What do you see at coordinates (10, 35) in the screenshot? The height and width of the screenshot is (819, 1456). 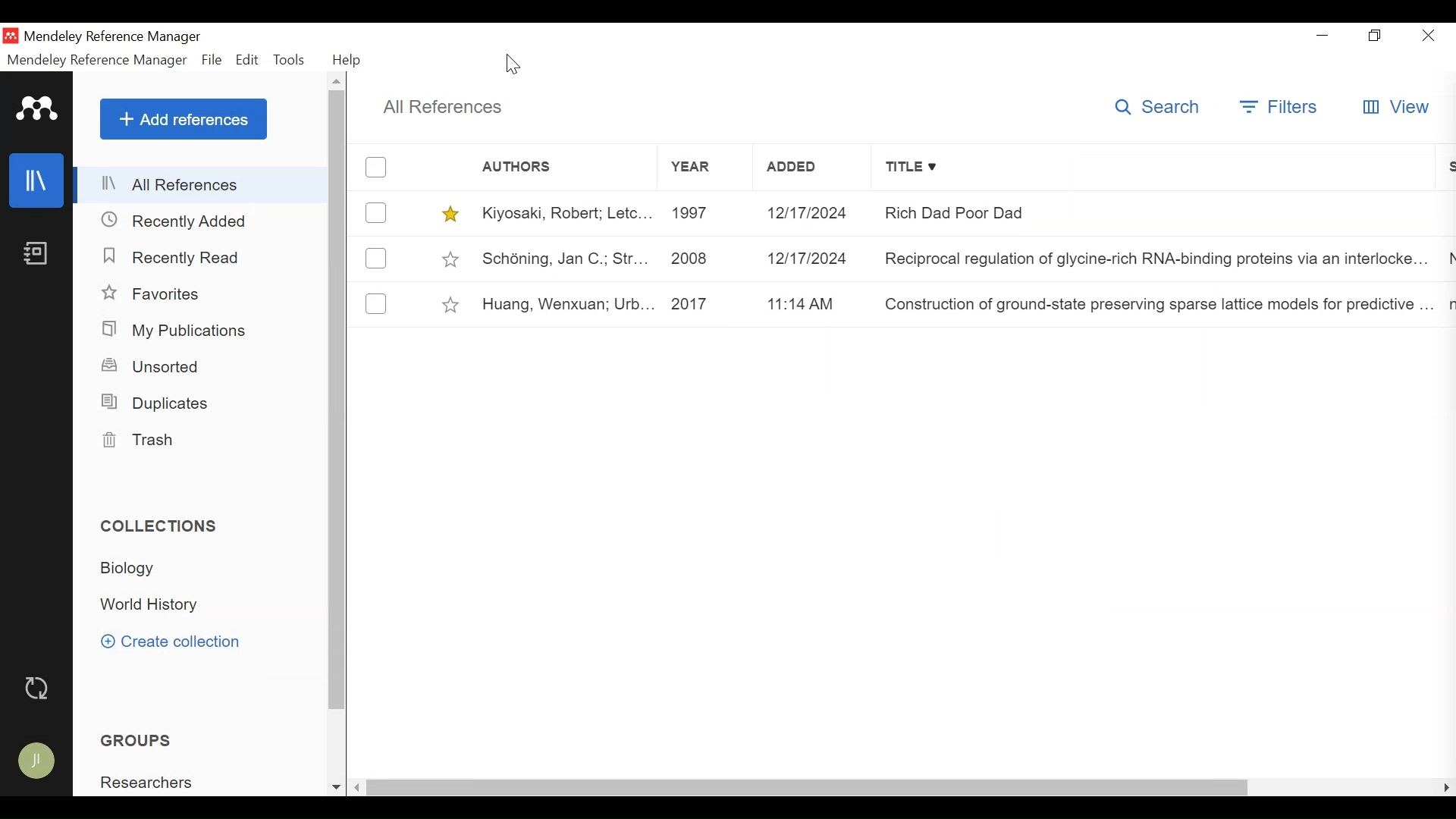 I see `Mendeley Desktop Icn` at bounding box center [10, 35].